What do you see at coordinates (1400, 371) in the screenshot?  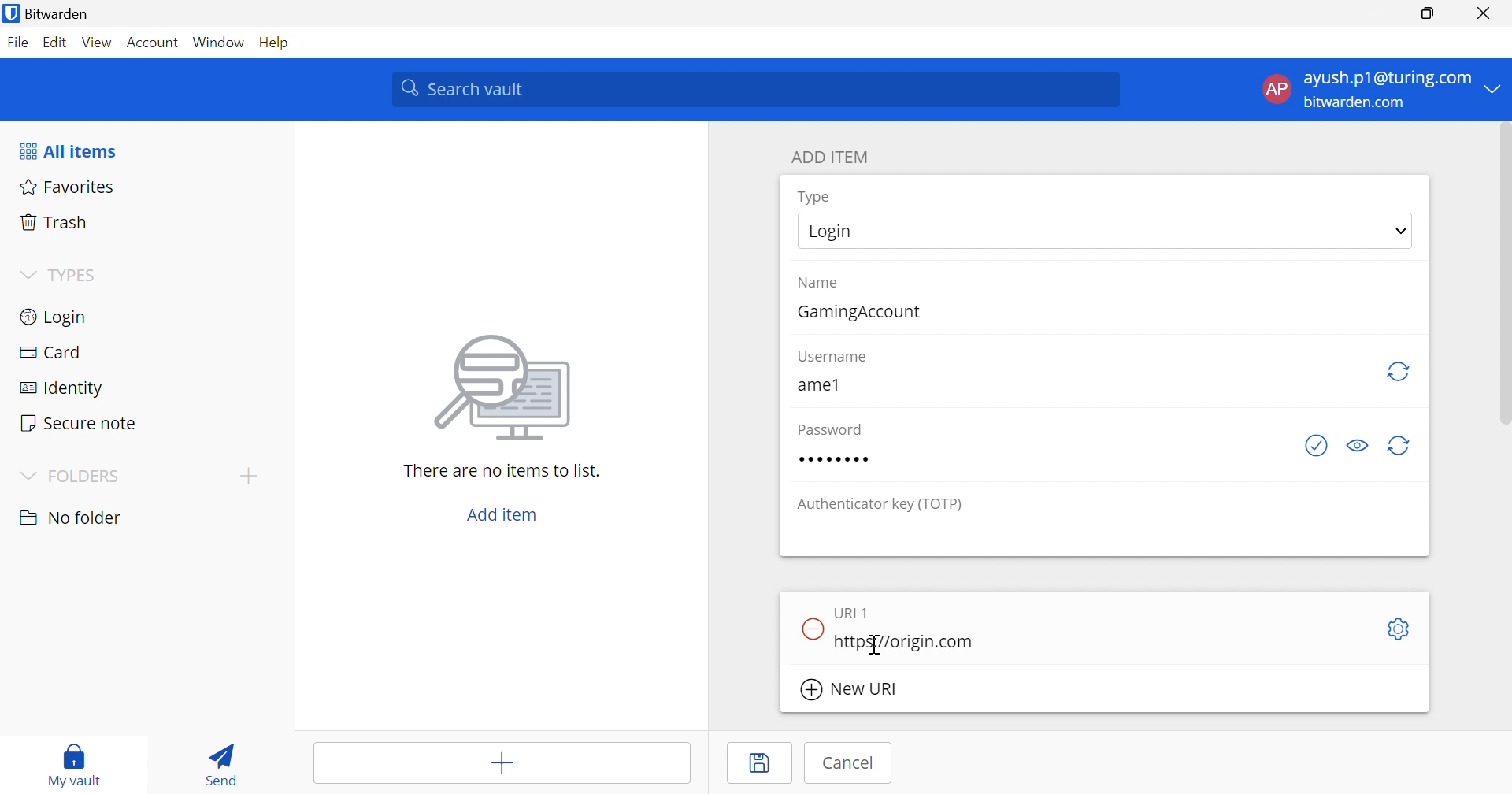 I see `Regenerate Username` at bounding box center [1400, 371].